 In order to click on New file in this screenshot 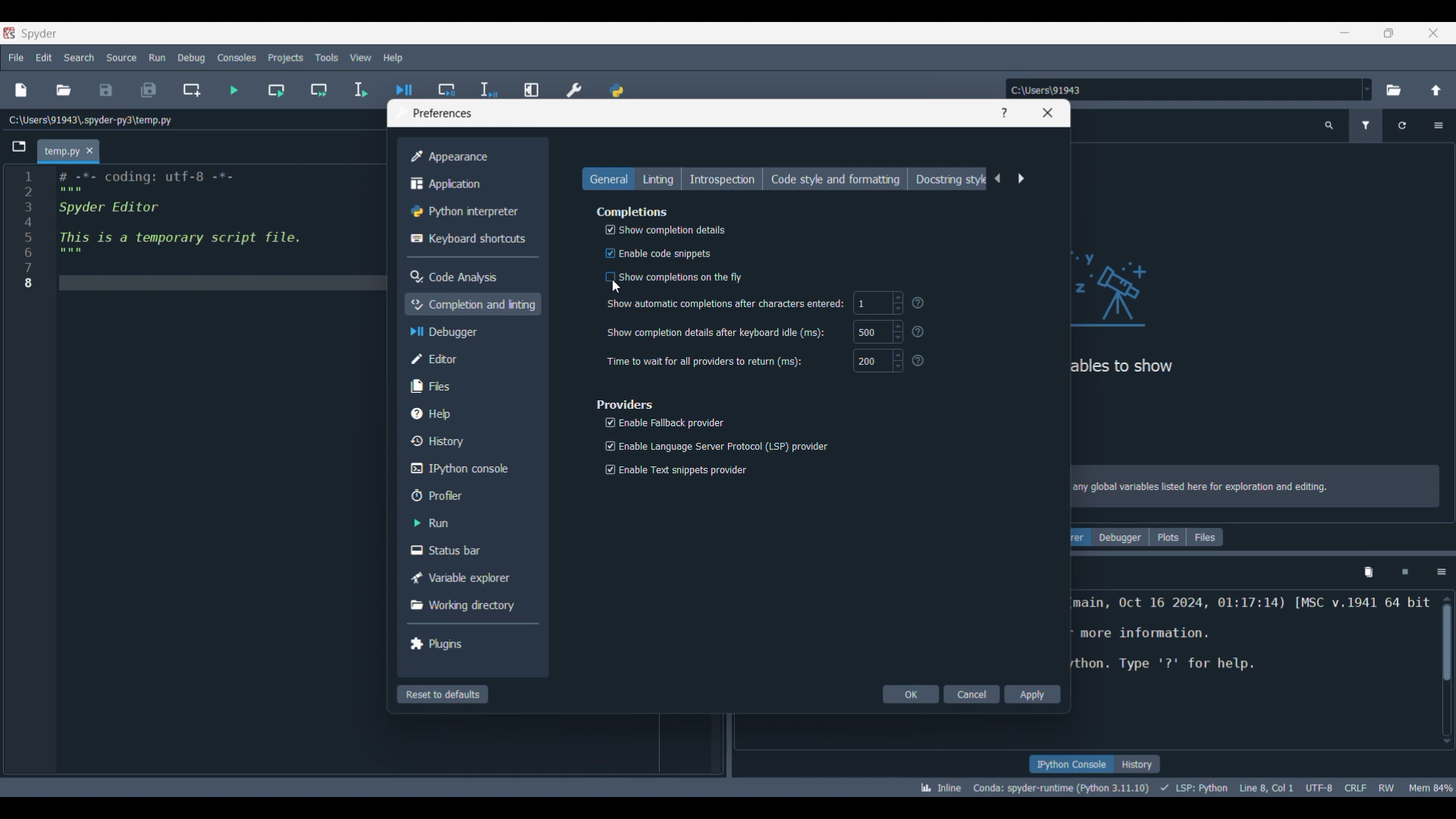, I will do `click(20, 90)`.